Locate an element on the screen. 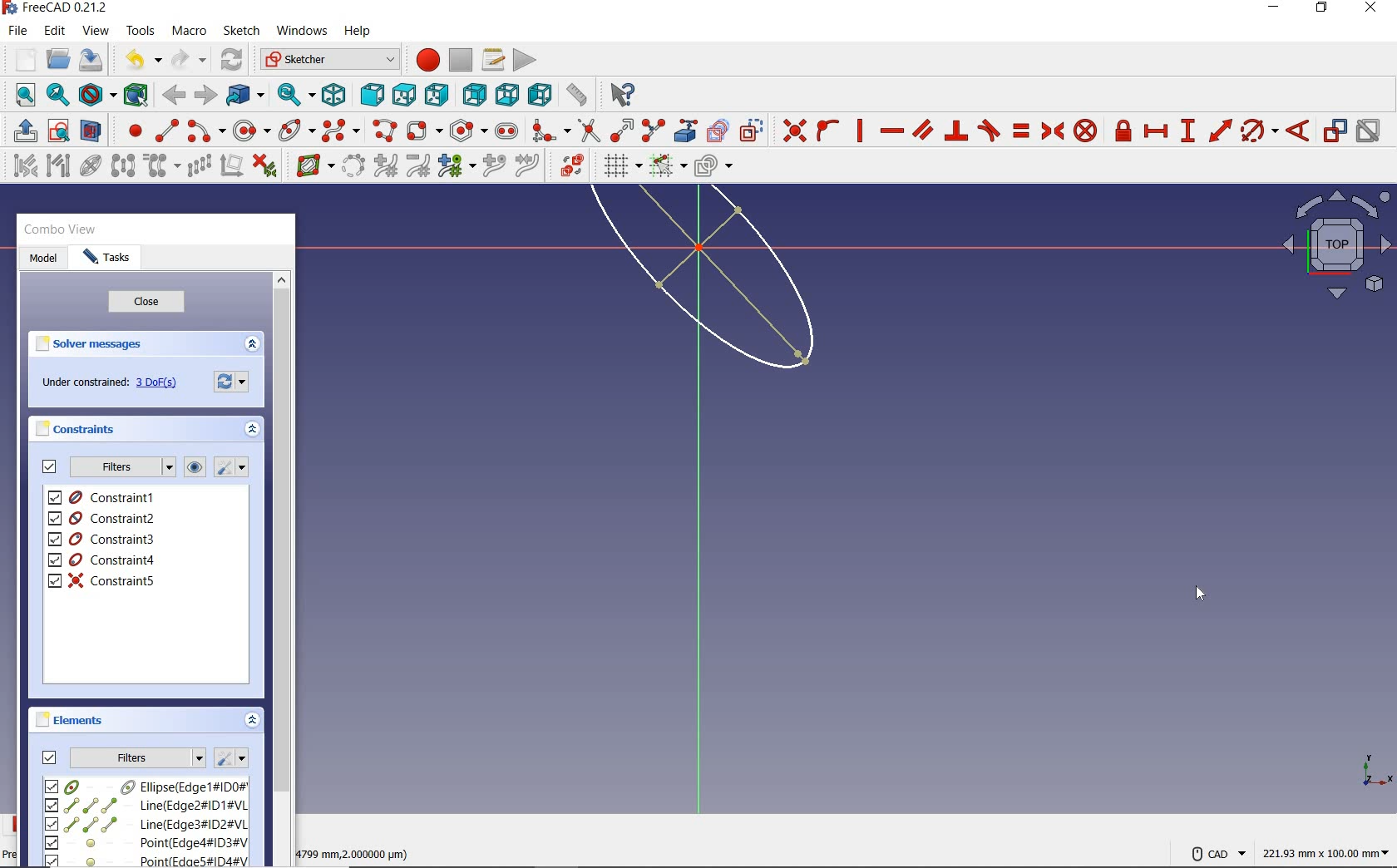 The image size is (1397, 868). toggle snap is located at coordinates (667, 165).